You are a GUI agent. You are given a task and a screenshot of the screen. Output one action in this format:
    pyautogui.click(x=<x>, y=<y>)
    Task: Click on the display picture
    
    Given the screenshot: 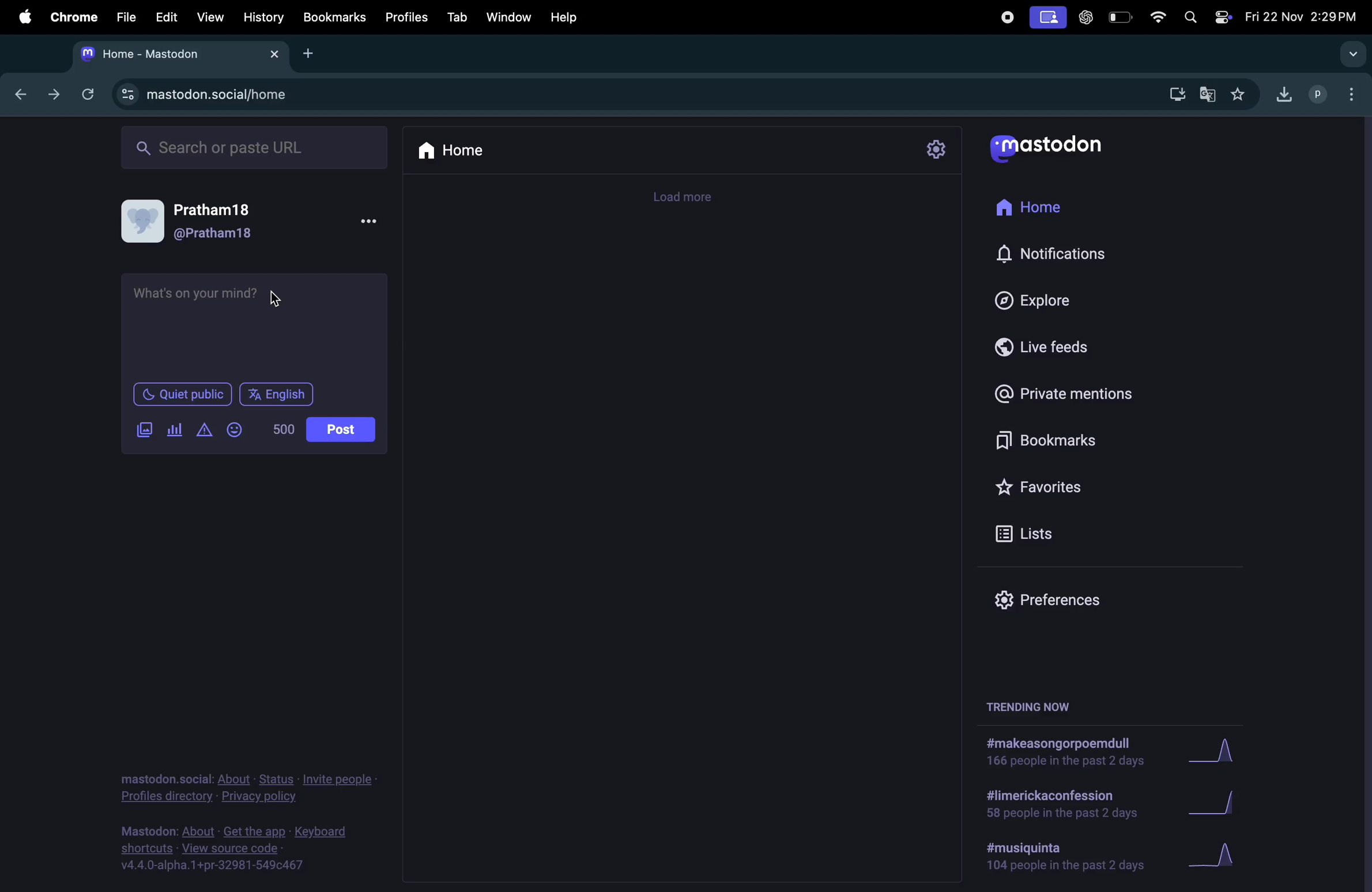 What is the action you would take?
    pyautogui.click(x=142, y=220)
    